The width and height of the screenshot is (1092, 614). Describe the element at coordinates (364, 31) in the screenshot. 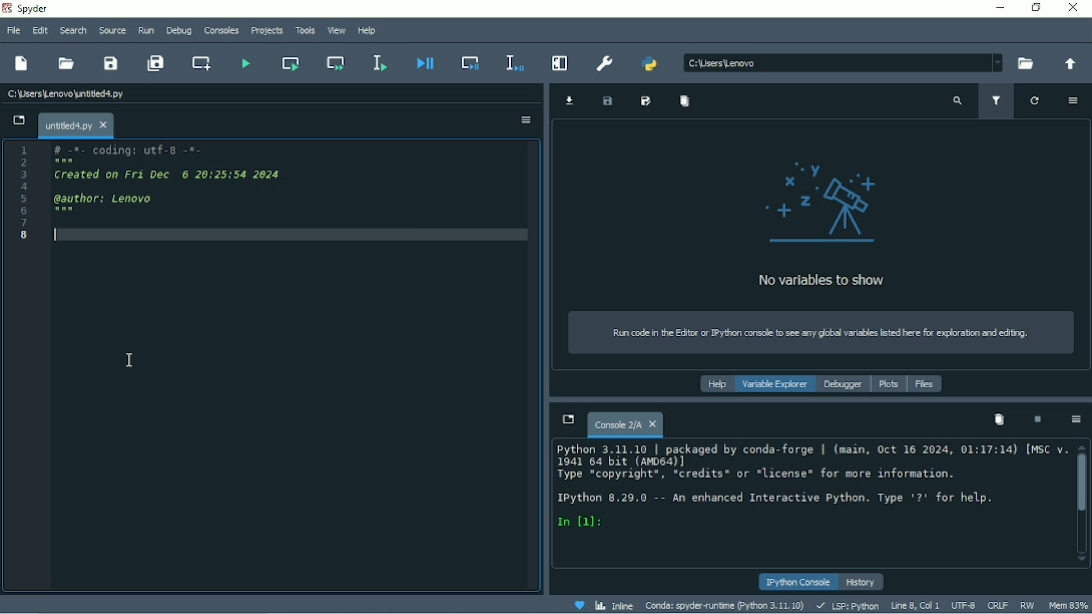

I see `Help` at that location.